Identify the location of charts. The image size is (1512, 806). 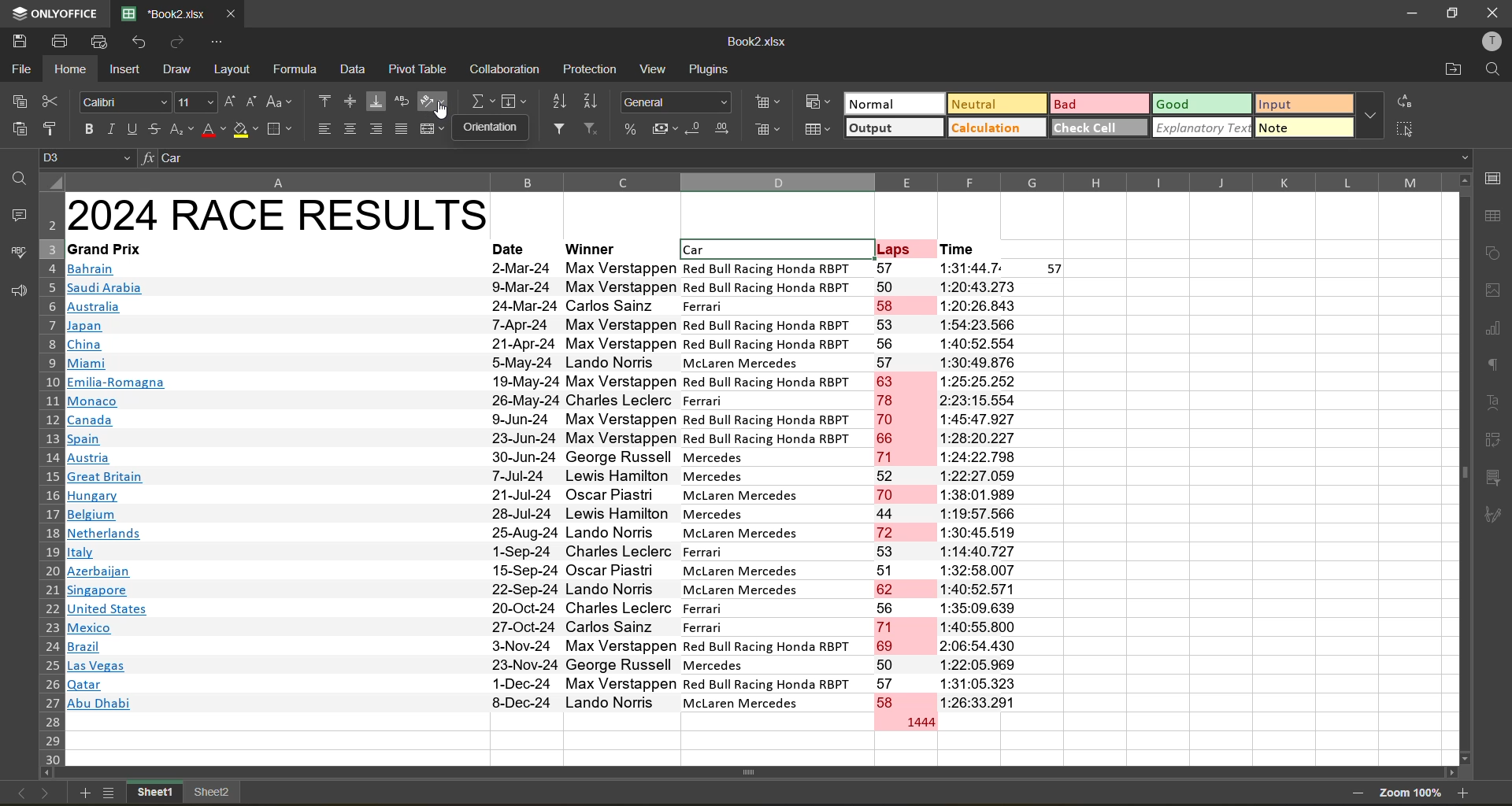
(1493, 331).